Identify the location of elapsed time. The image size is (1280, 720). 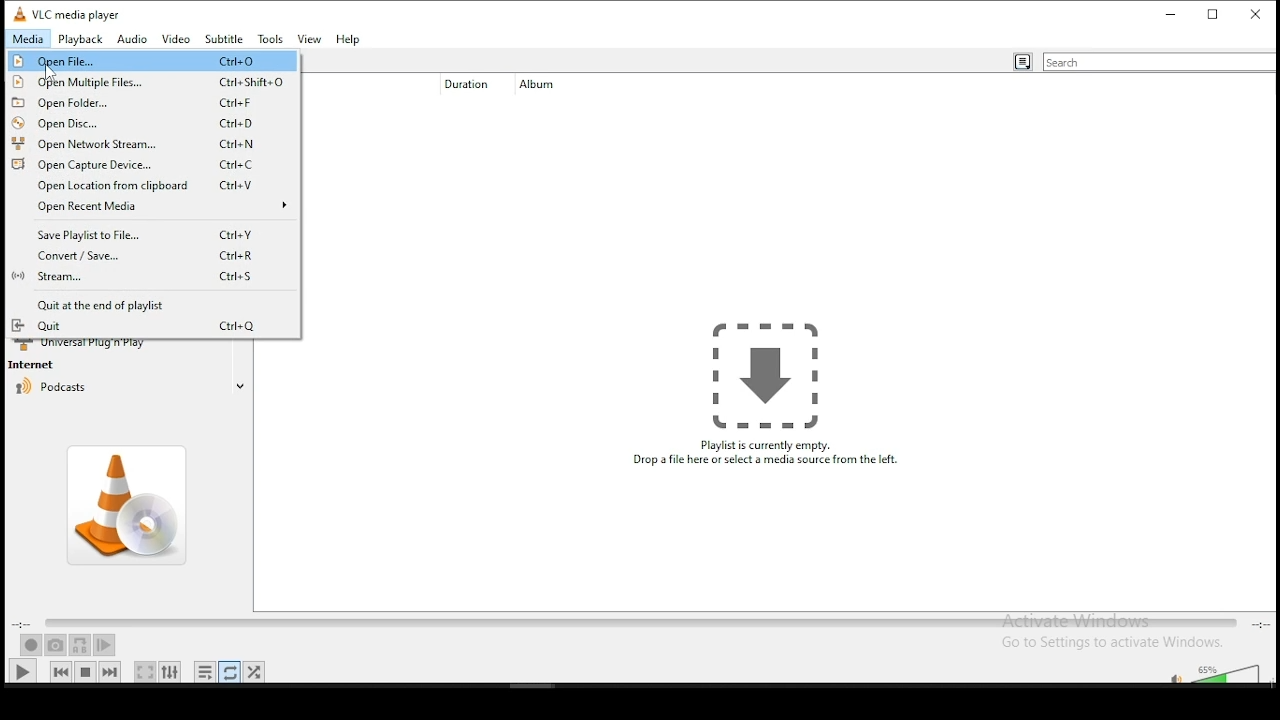
(22, 625).